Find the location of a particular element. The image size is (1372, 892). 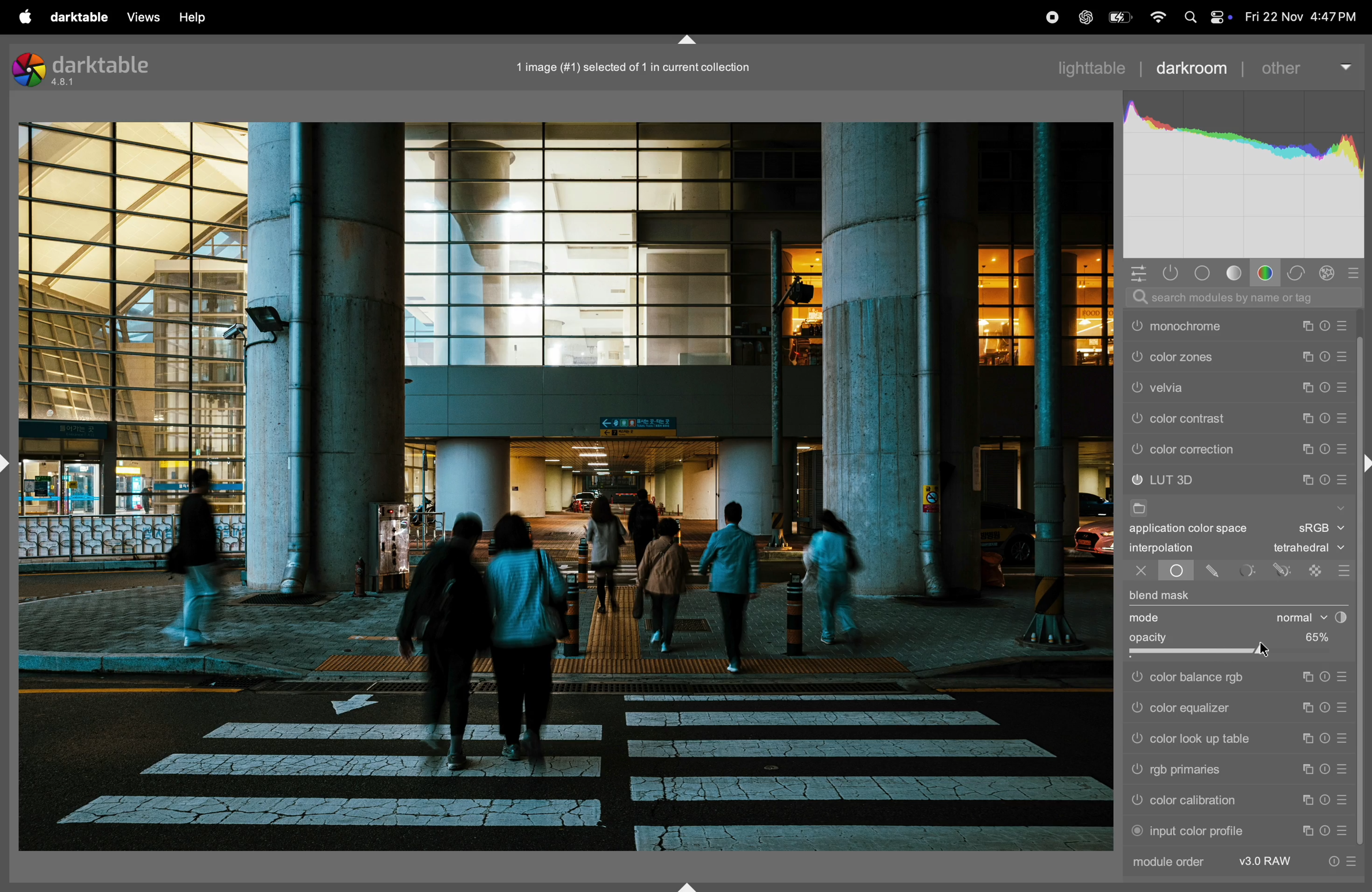

reset is located at coordinates (1325, 477).